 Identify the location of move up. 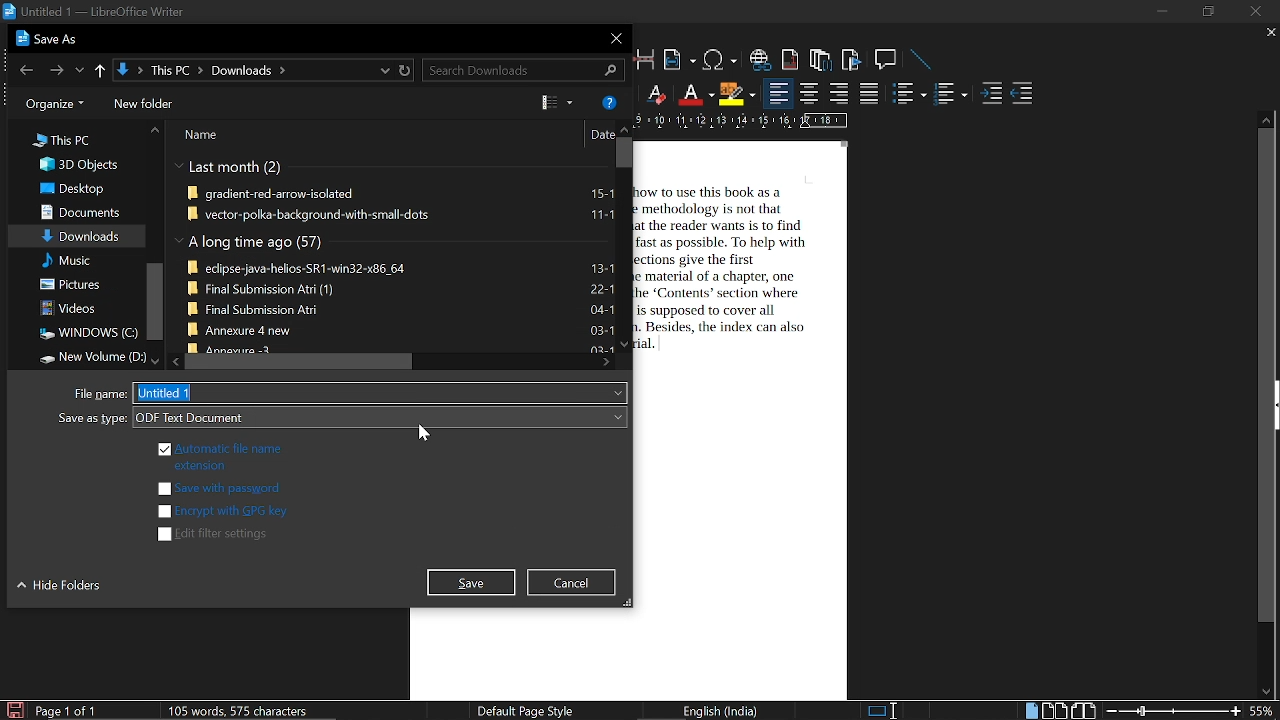
(1266, 119).